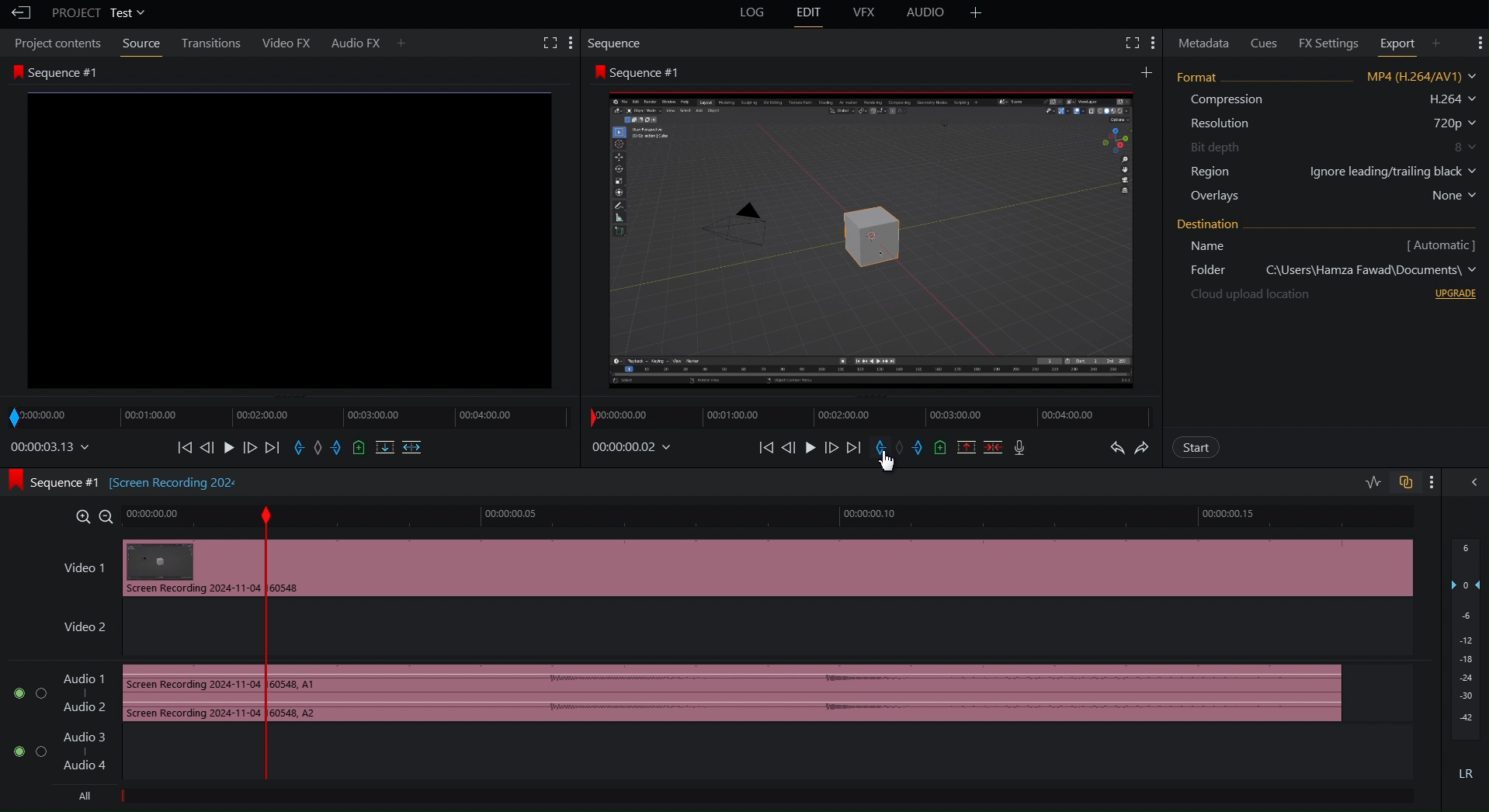 This screenshot has width=1489, height=812. Describe the element at coordinates (614, 44) in the screenshot. I see `Sequence` at that location.